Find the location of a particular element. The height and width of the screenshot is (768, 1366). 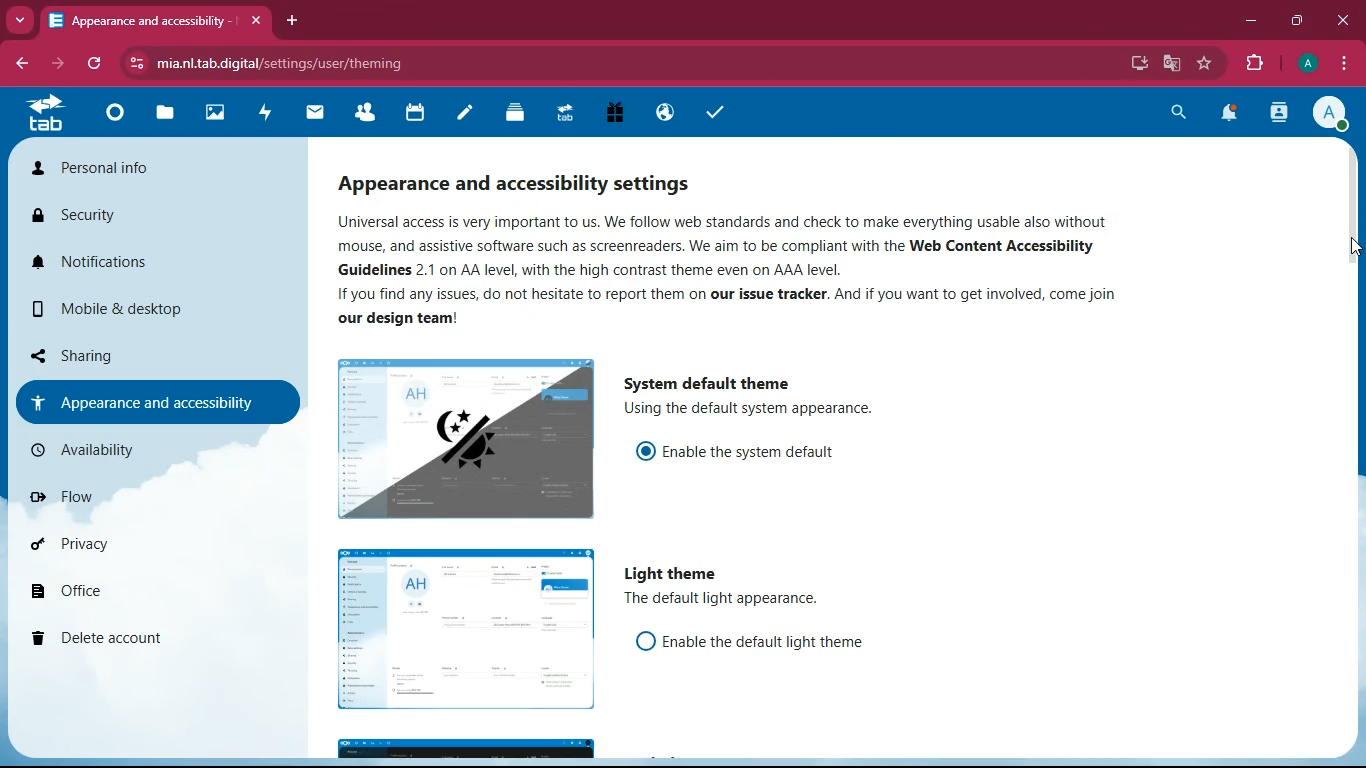

personal info is located at coordinates (124, 172).